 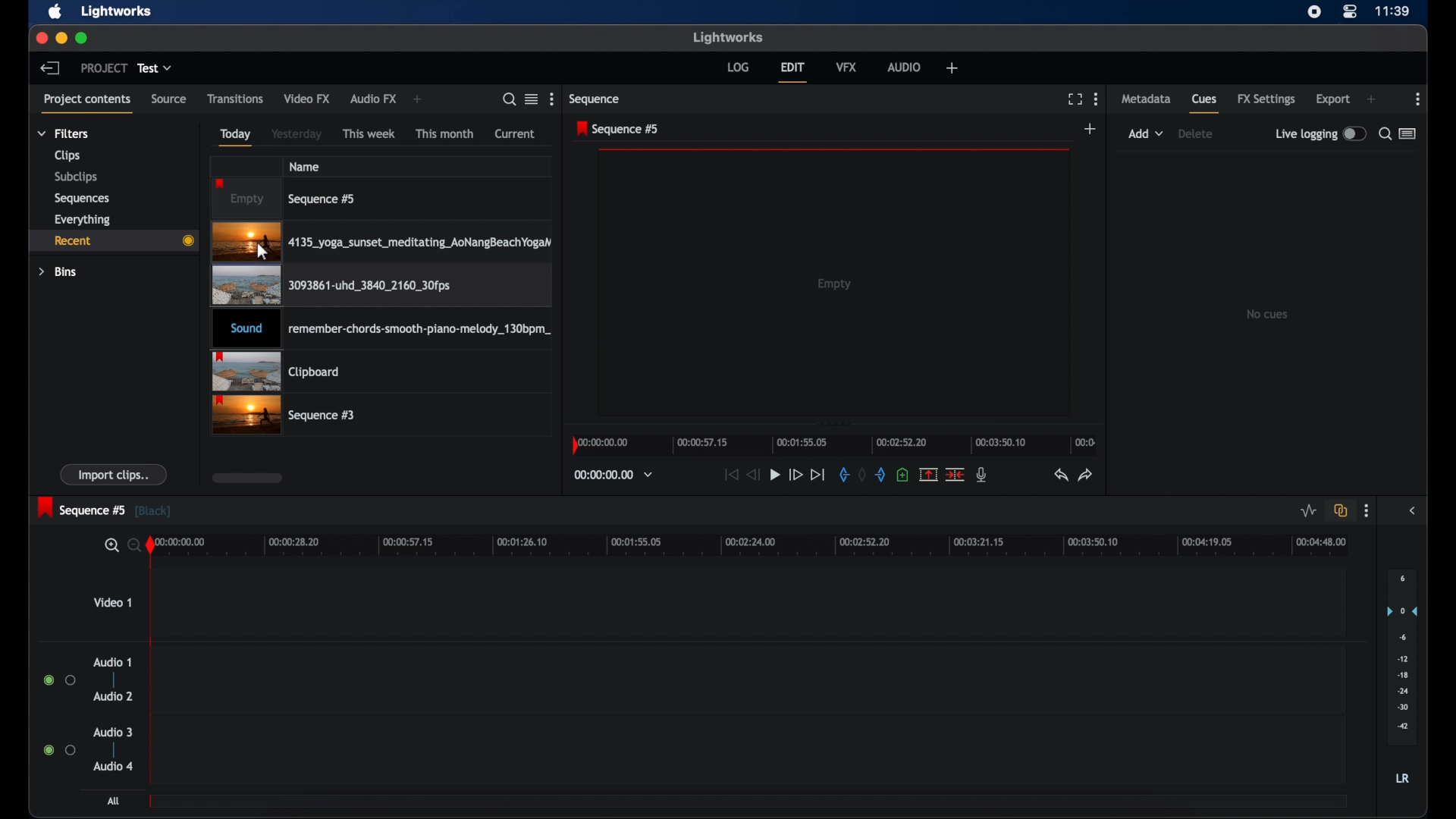 I want to click on jump to end, so click(x=818, y=475).